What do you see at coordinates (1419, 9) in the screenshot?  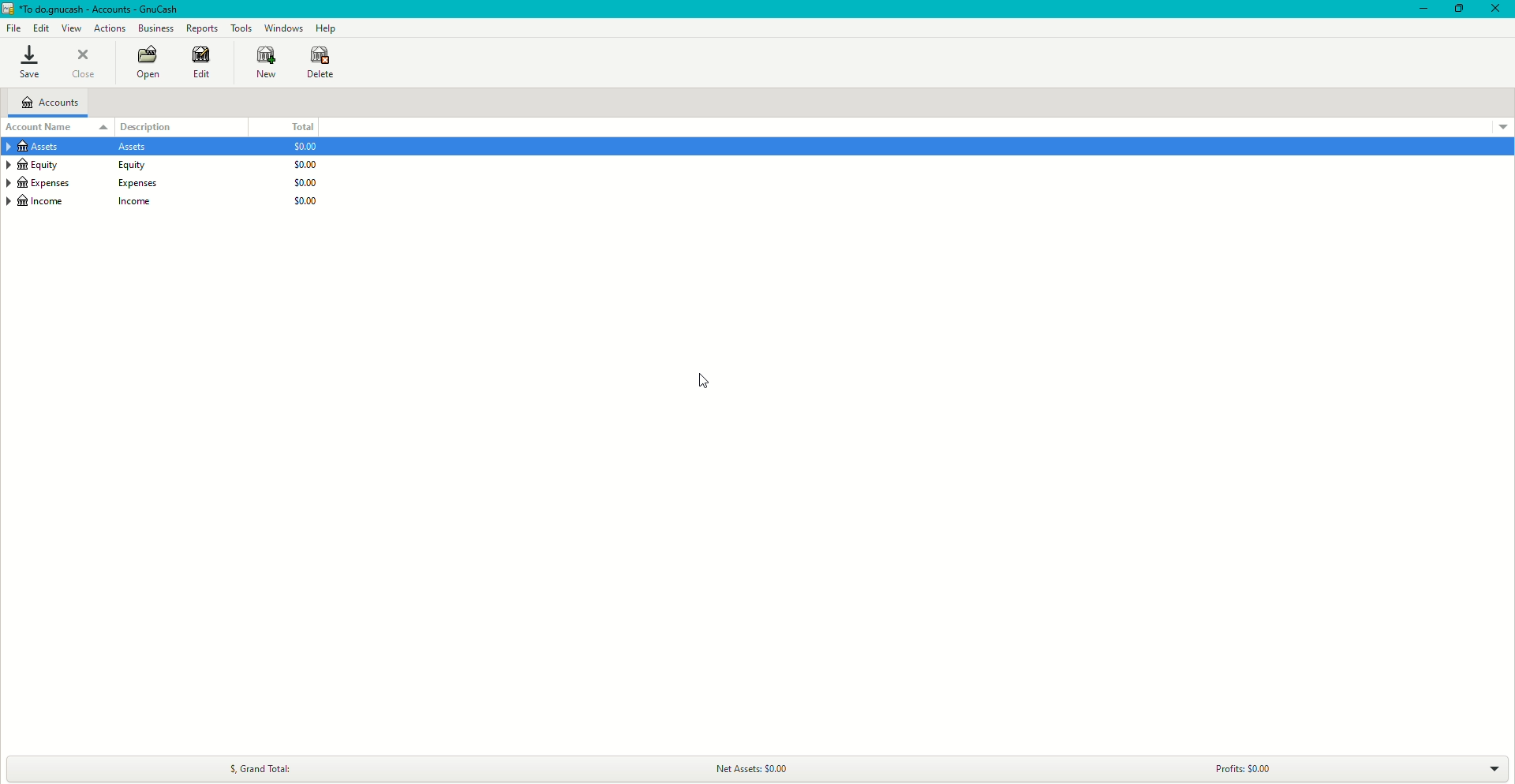 I see `Minimize` at bounding box center [1419, 9].